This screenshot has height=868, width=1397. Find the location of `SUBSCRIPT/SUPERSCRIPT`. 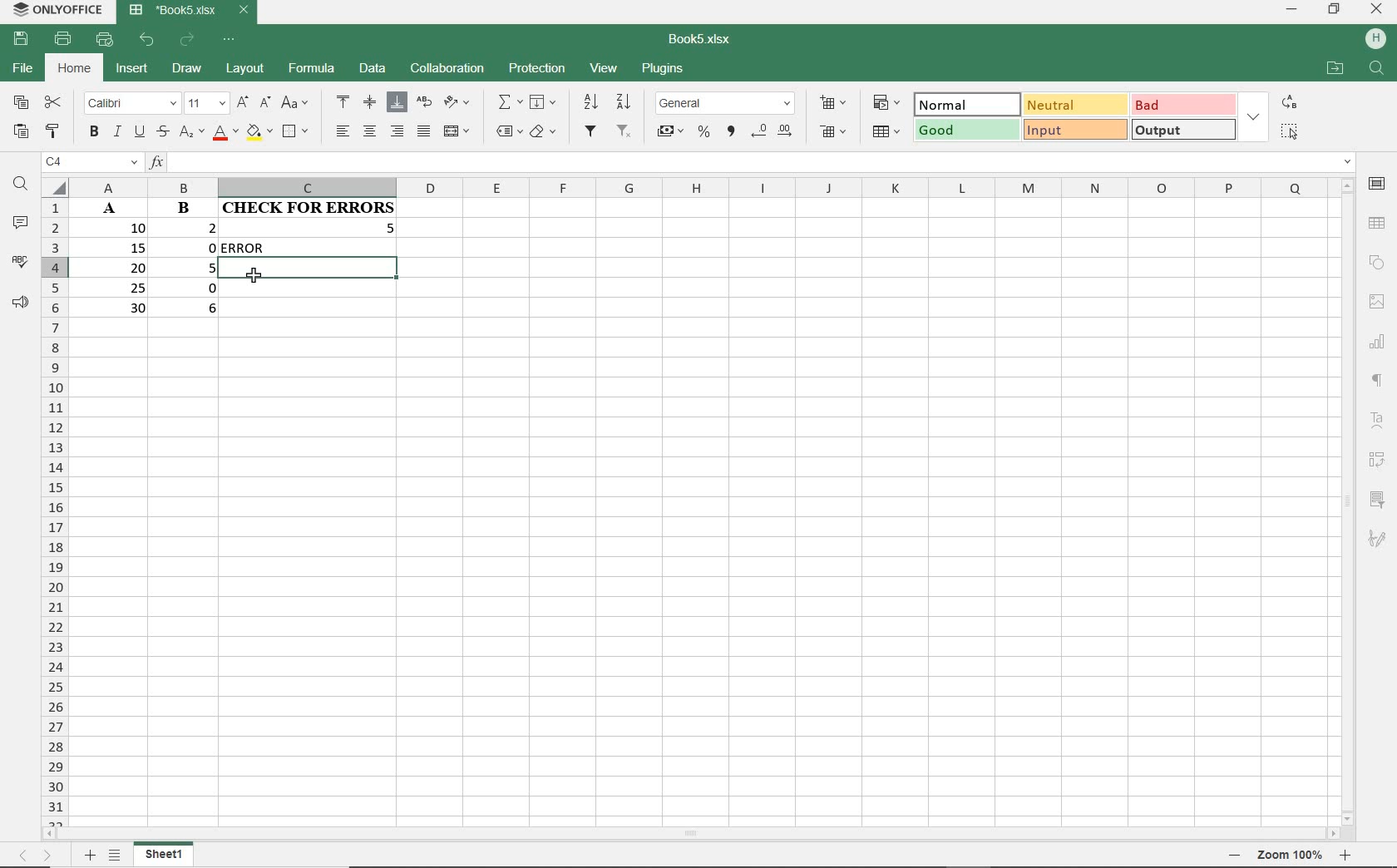

SUBSCRIPT/SUPERSCRIPT is located at coordinates (189, 135).